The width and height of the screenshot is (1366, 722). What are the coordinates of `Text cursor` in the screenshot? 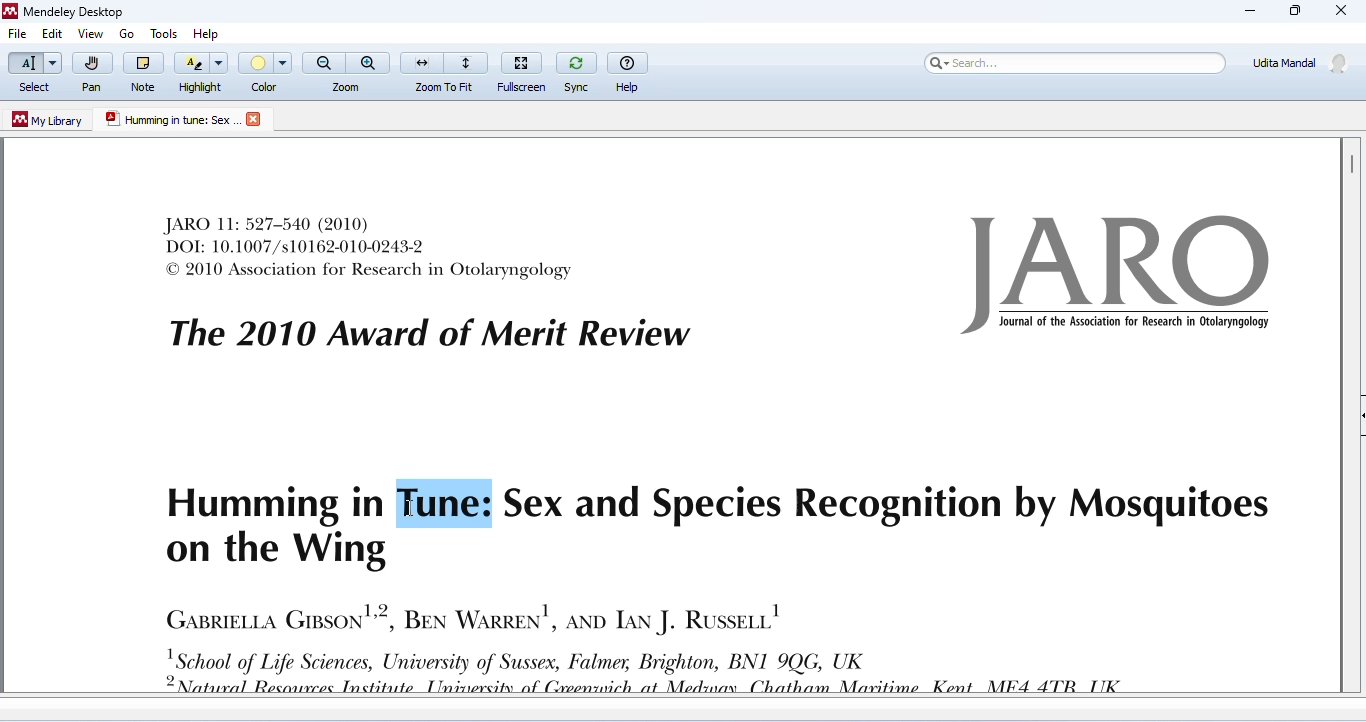 It's located at (406, 509).